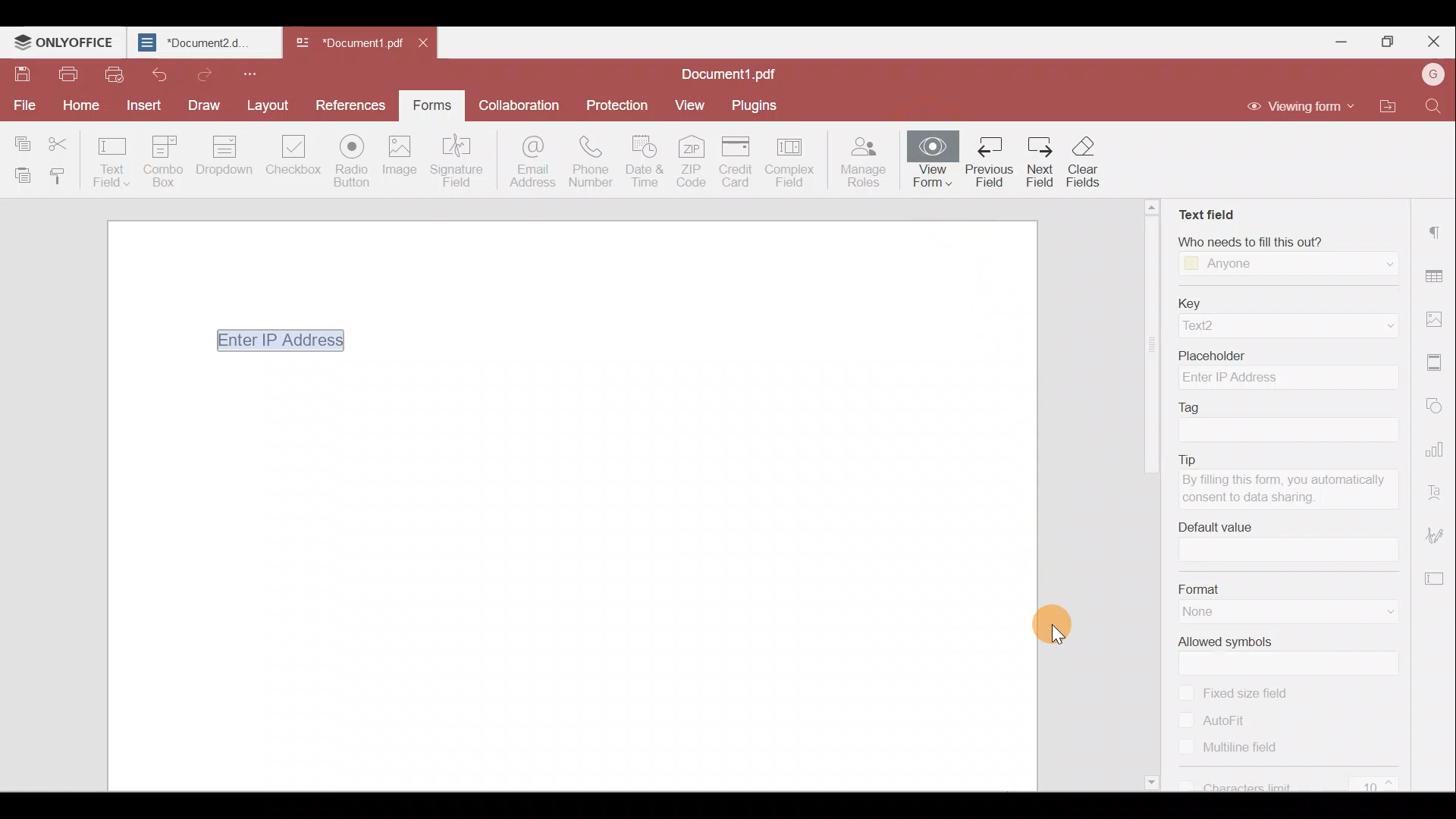  Describe the element at coordinates (346, 42) in the screenshot. I see `Document1. pdf` at that location.